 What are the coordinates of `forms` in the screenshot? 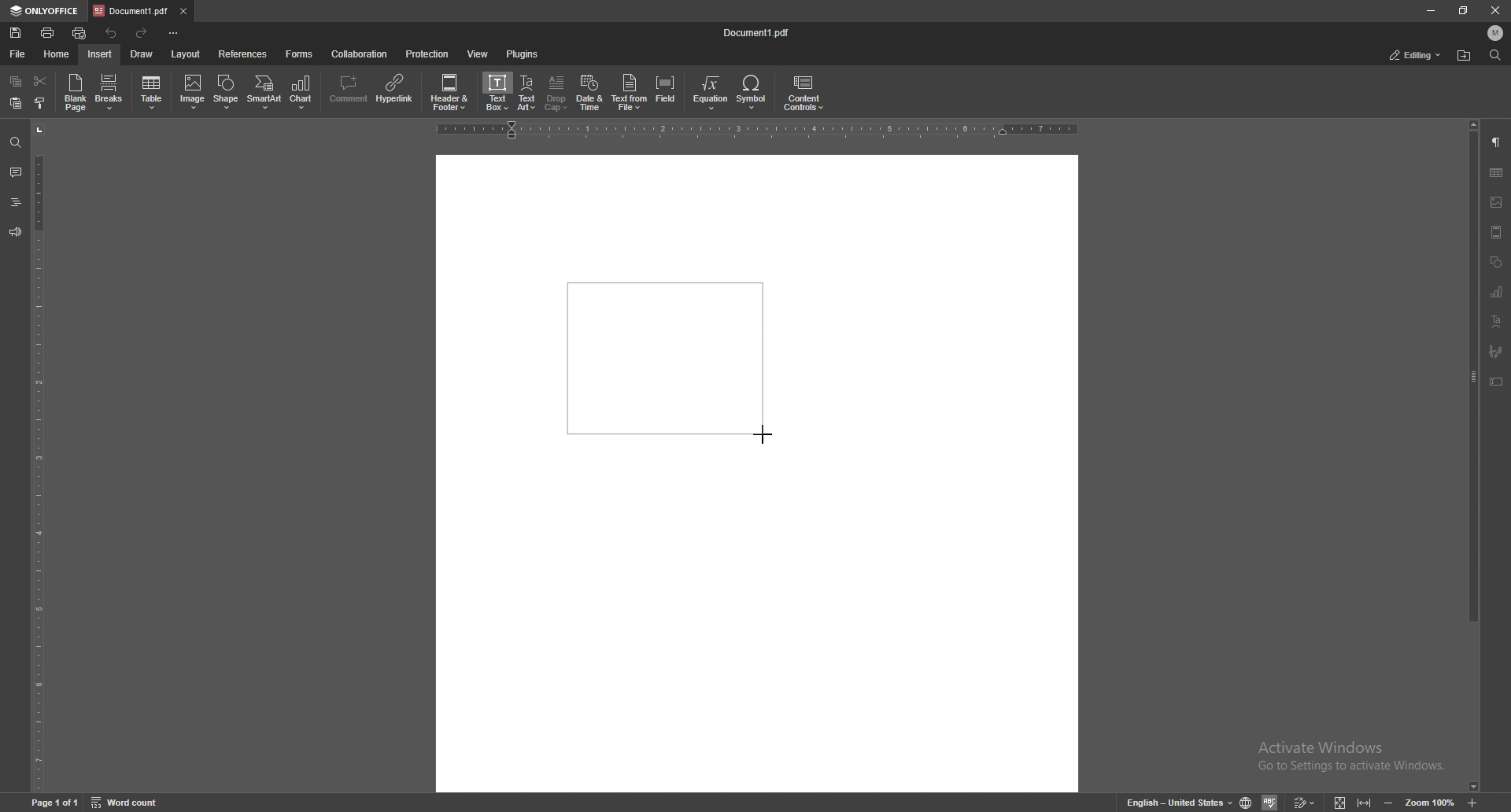 It's located at (301, 54).